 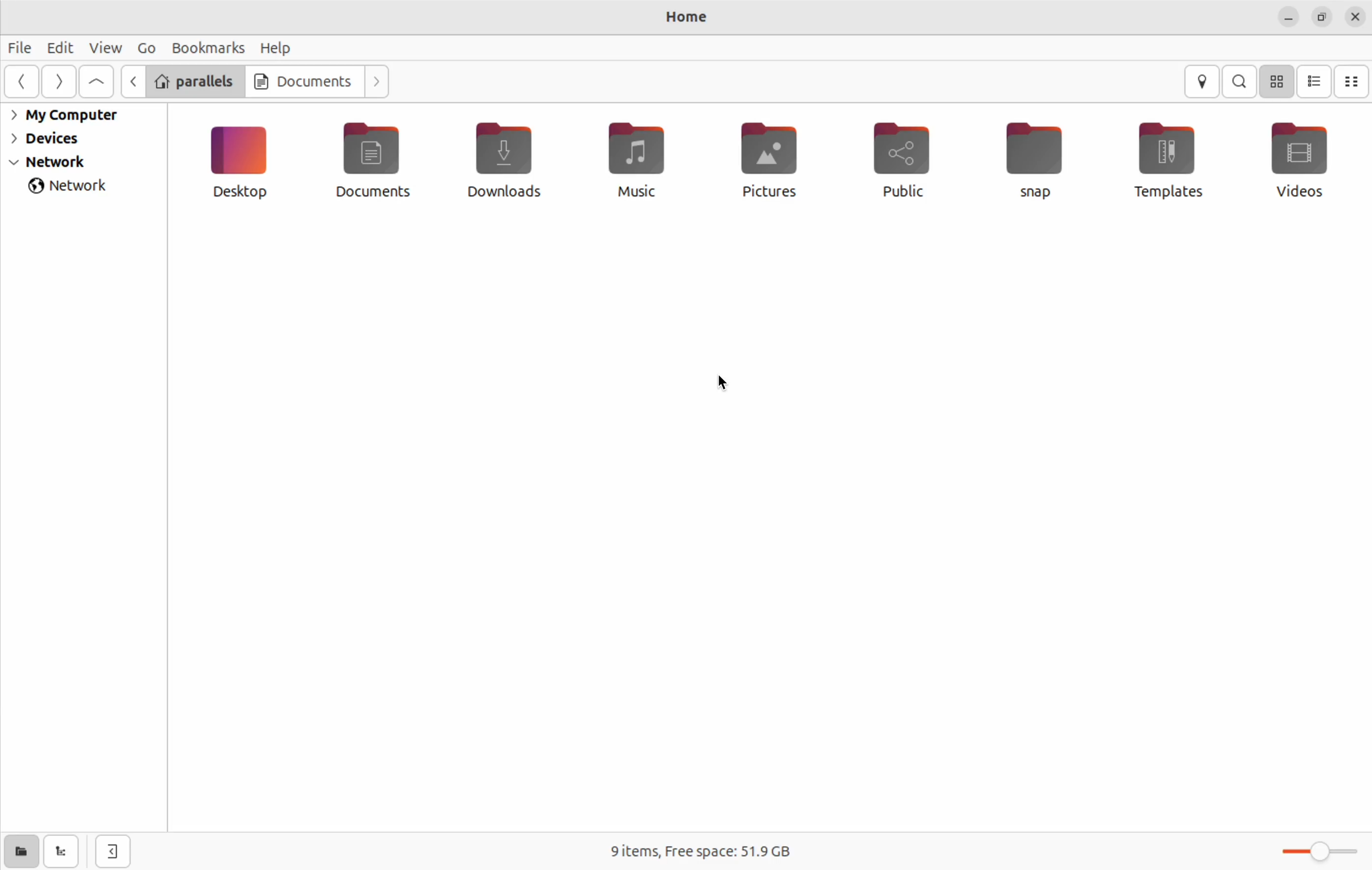 What do you see at coordinates (1354, 81) in the screenshot?
I see `compact view` at bounding box center [1354, 81].